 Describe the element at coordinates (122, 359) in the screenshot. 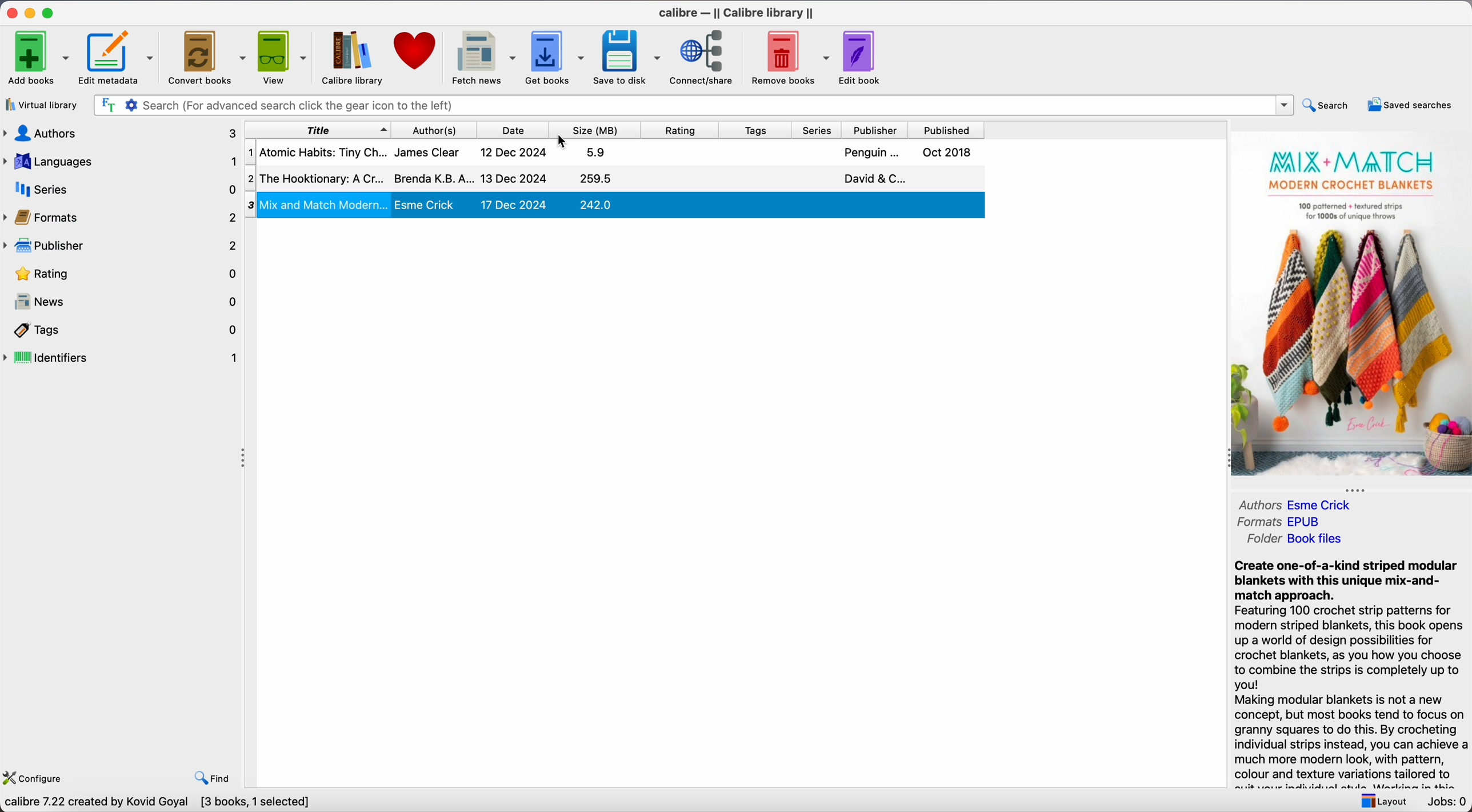

I see `identifiers` at that location.